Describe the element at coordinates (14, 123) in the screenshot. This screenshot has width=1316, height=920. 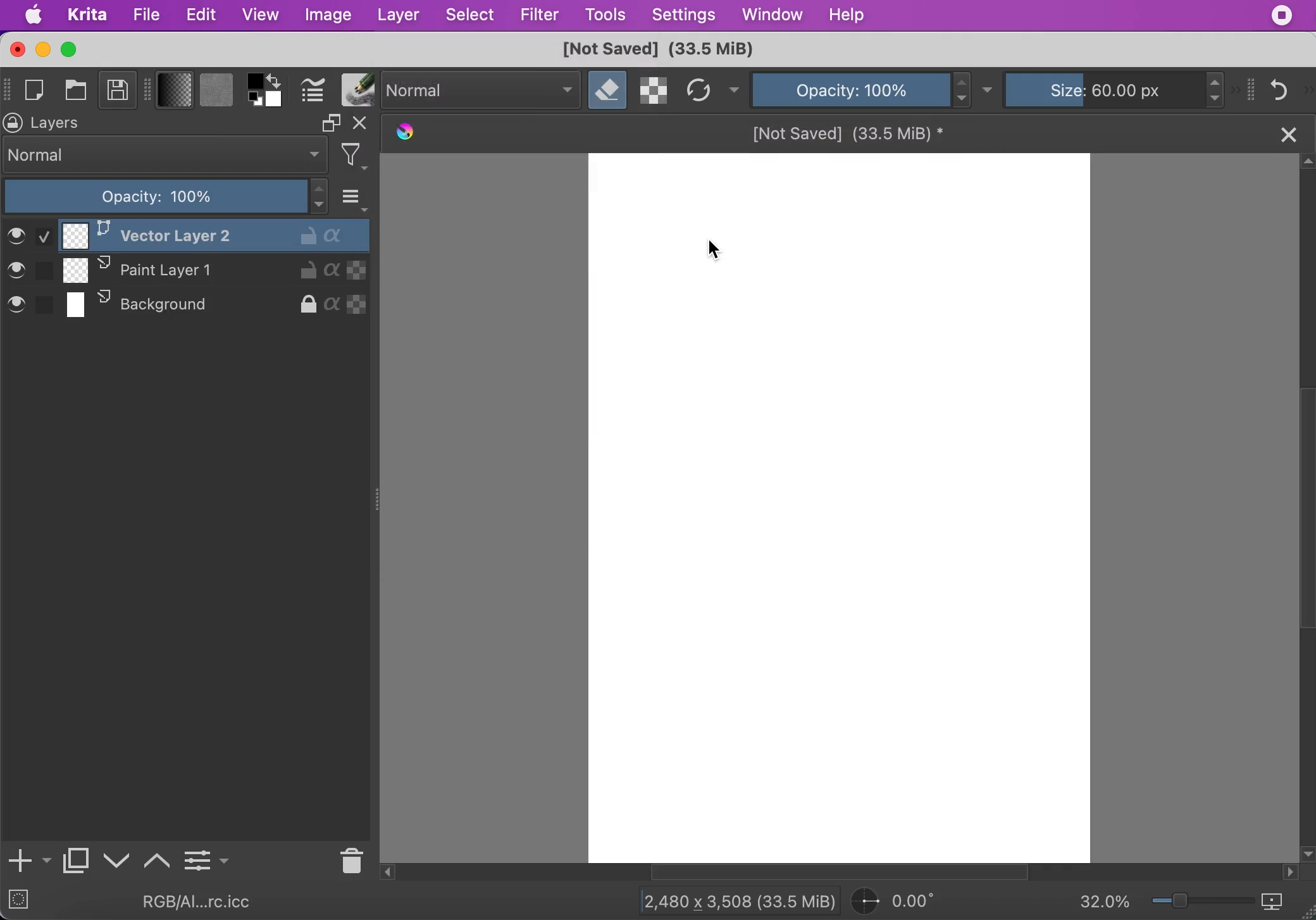
I see `lock docker` at that location.